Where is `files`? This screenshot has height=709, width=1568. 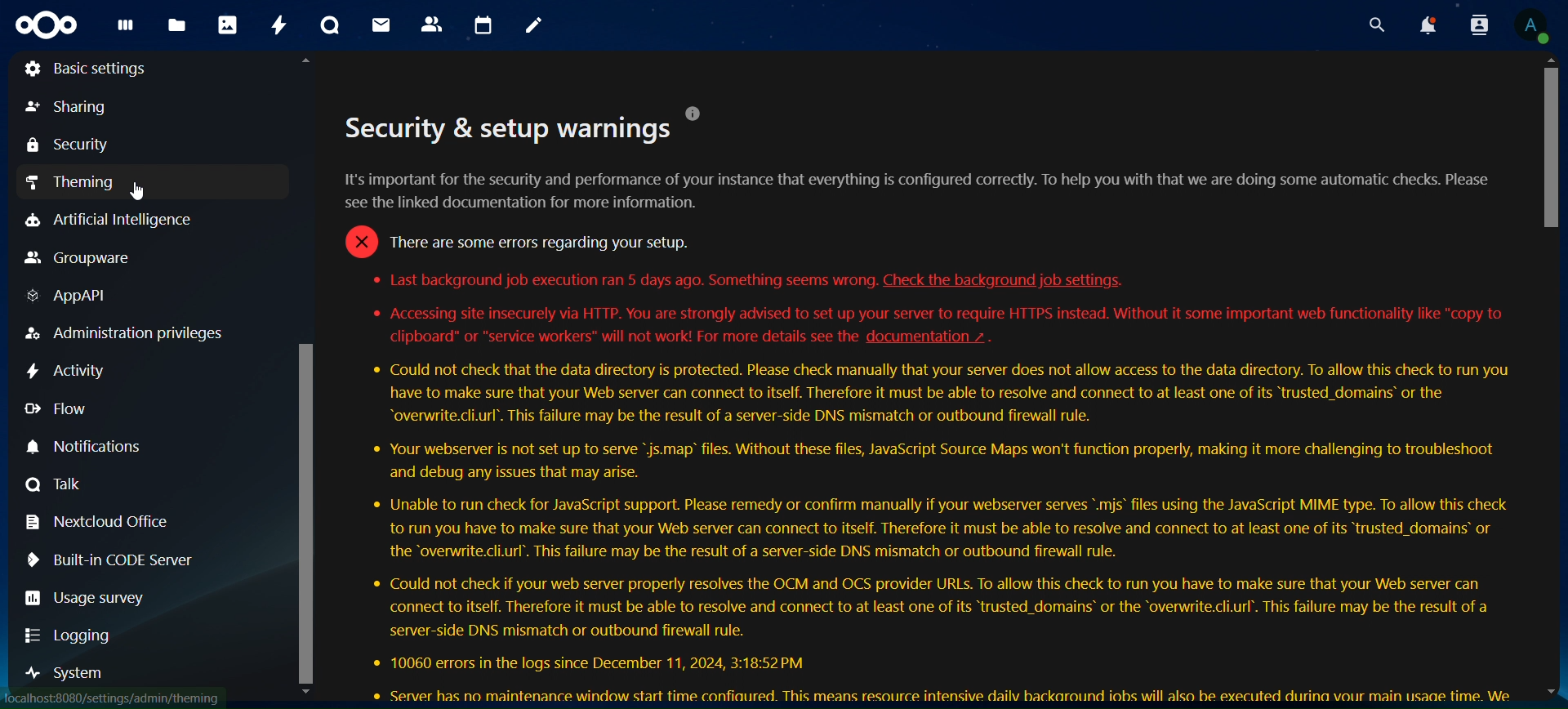 files is located at coordinates (178, 26).